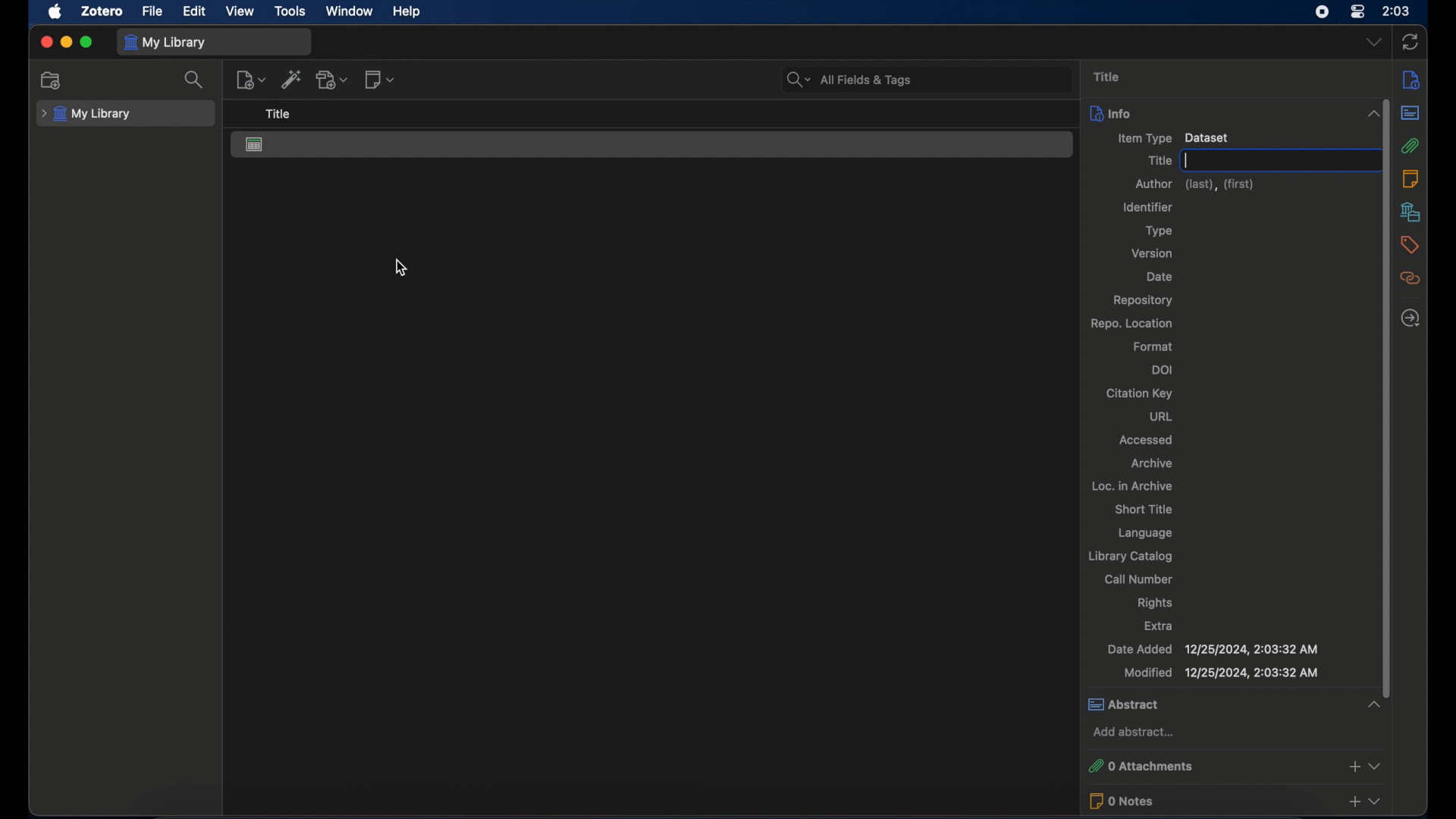  Describe the element at coordinates (292, 79) in the screenshot. I see `add item by identifier` at that location.